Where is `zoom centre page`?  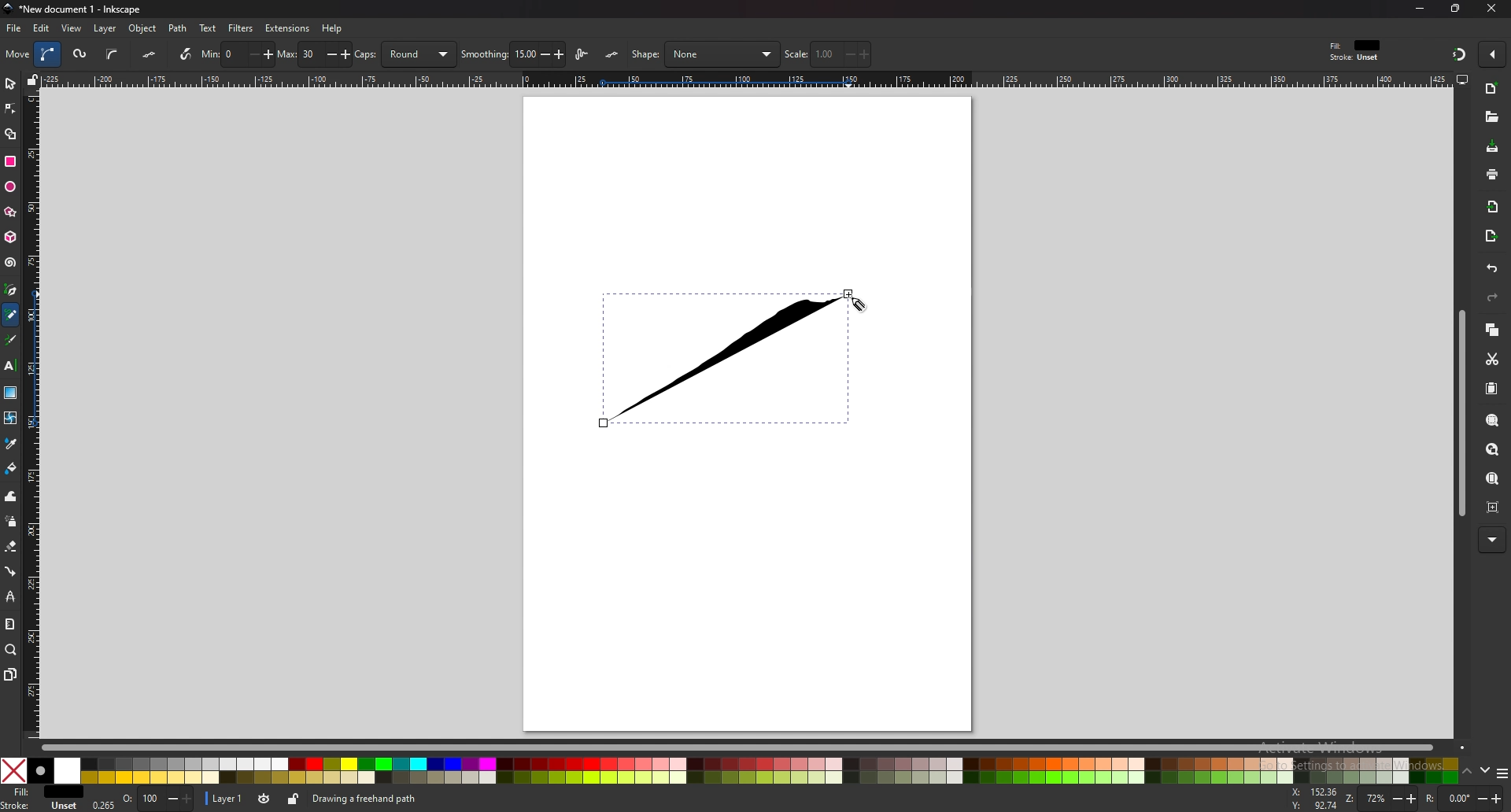
zoom centre page is located at coordinates (1491, 507).